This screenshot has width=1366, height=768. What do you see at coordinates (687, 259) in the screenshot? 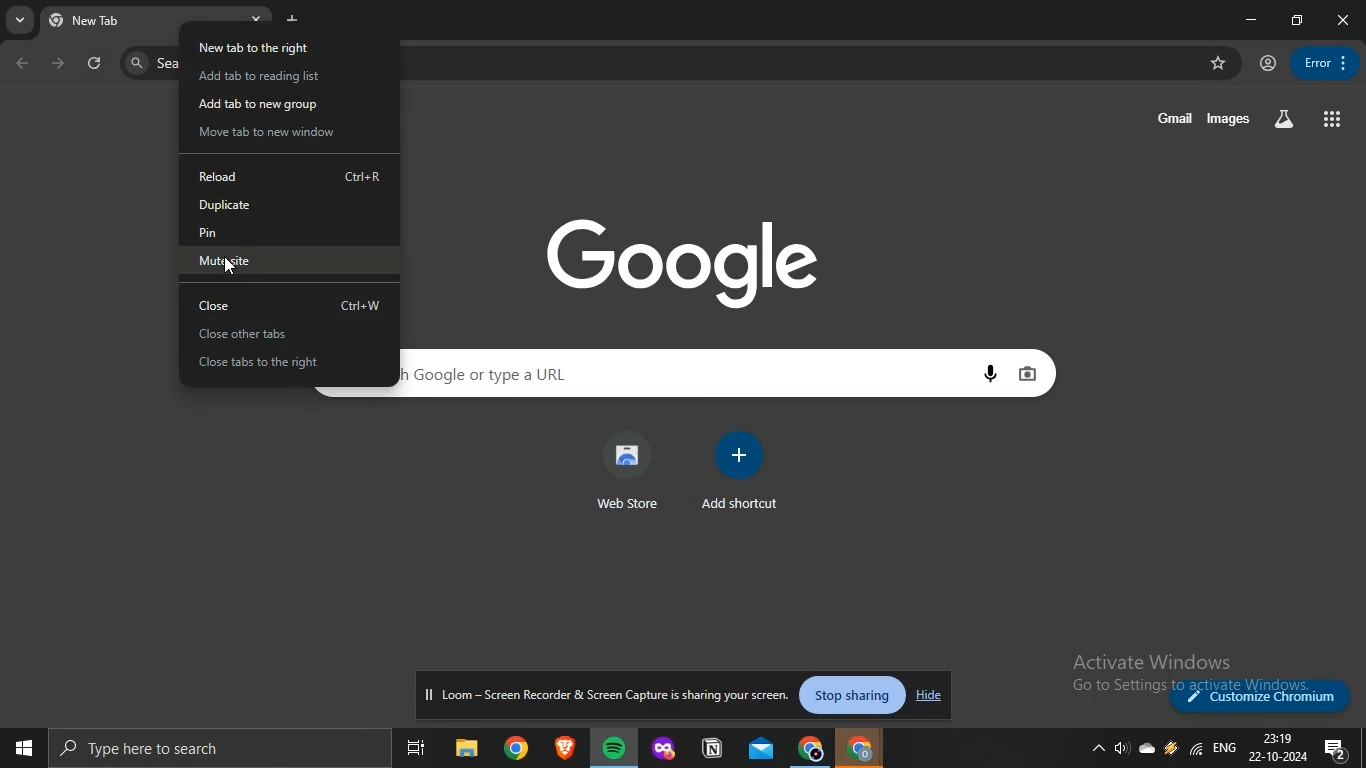
I see `google ` at bounding box center [687, 259].